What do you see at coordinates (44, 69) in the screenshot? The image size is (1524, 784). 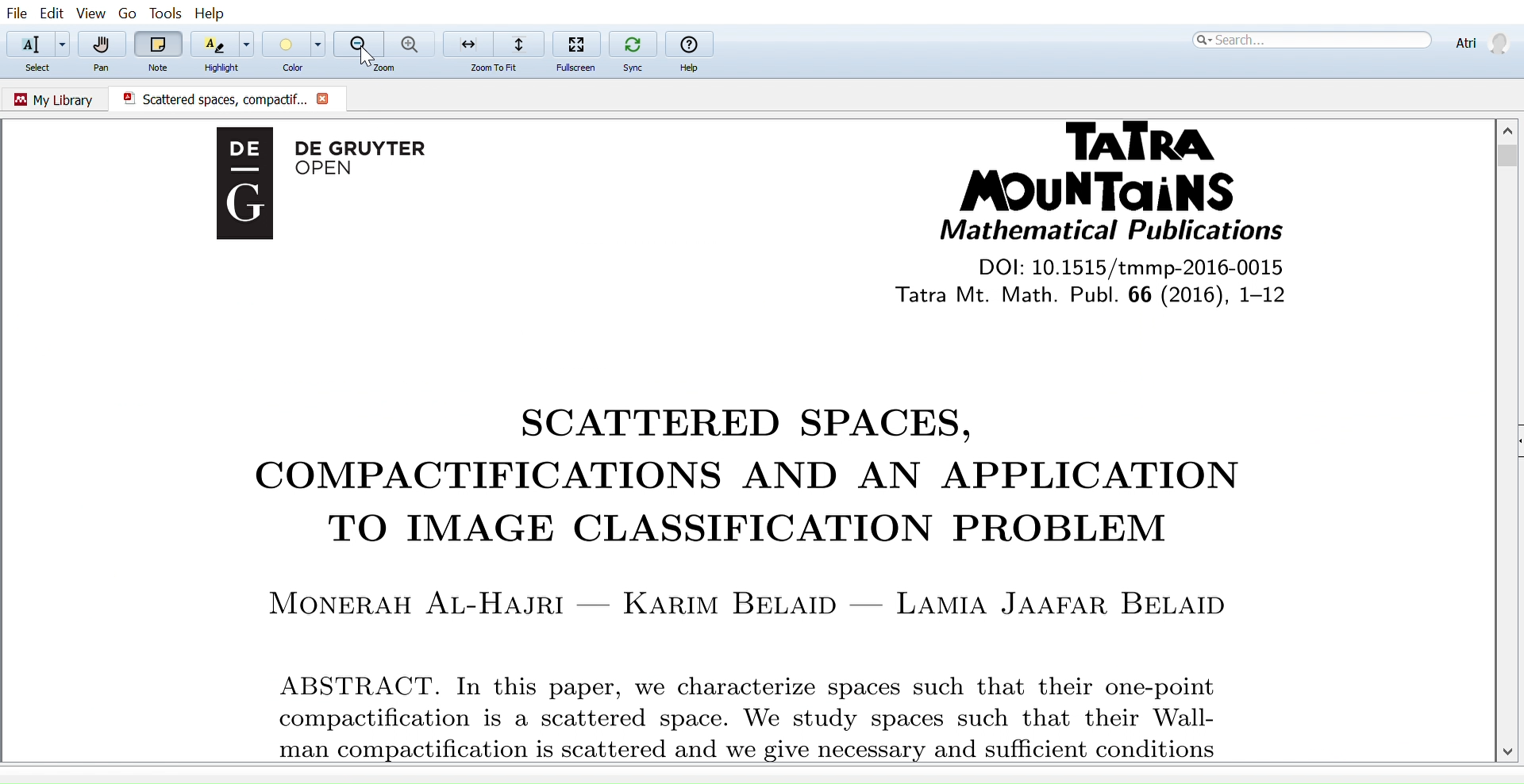 I see `Select` at bounding box center [44, 69].